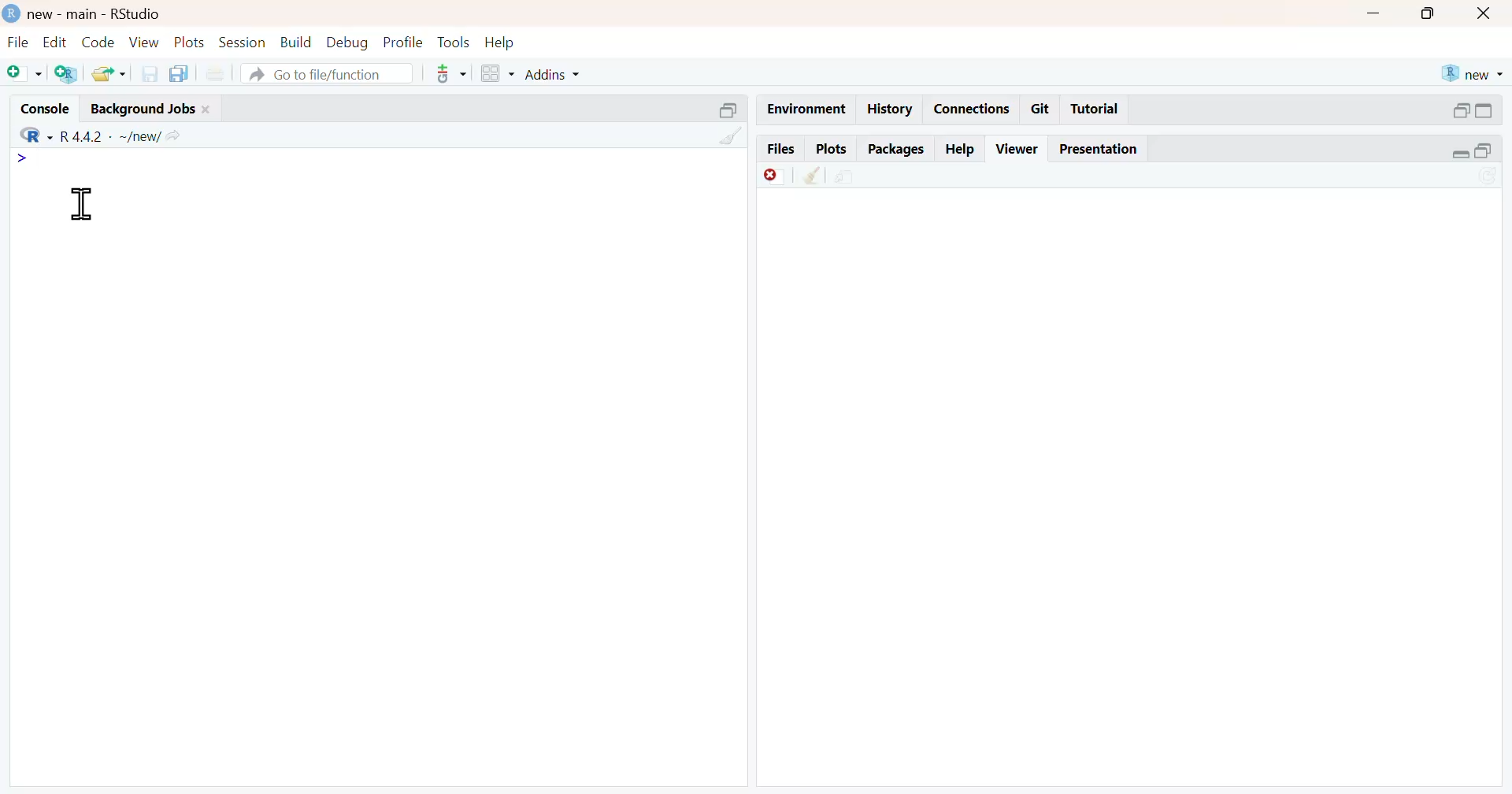  I want to click on close, so click(1488, 15).